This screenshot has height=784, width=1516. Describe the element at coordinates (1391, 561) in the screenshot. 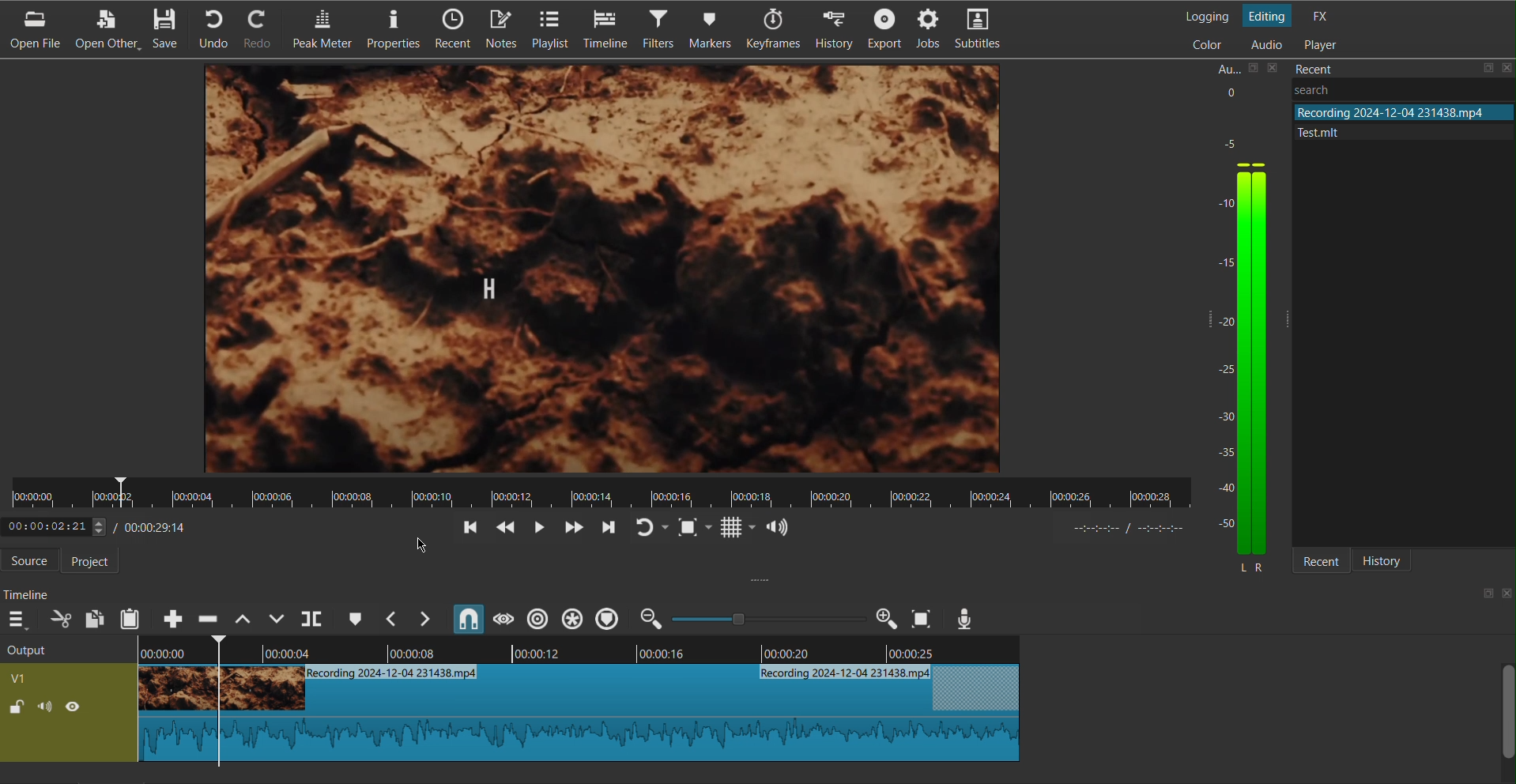

I see `History` at that location.